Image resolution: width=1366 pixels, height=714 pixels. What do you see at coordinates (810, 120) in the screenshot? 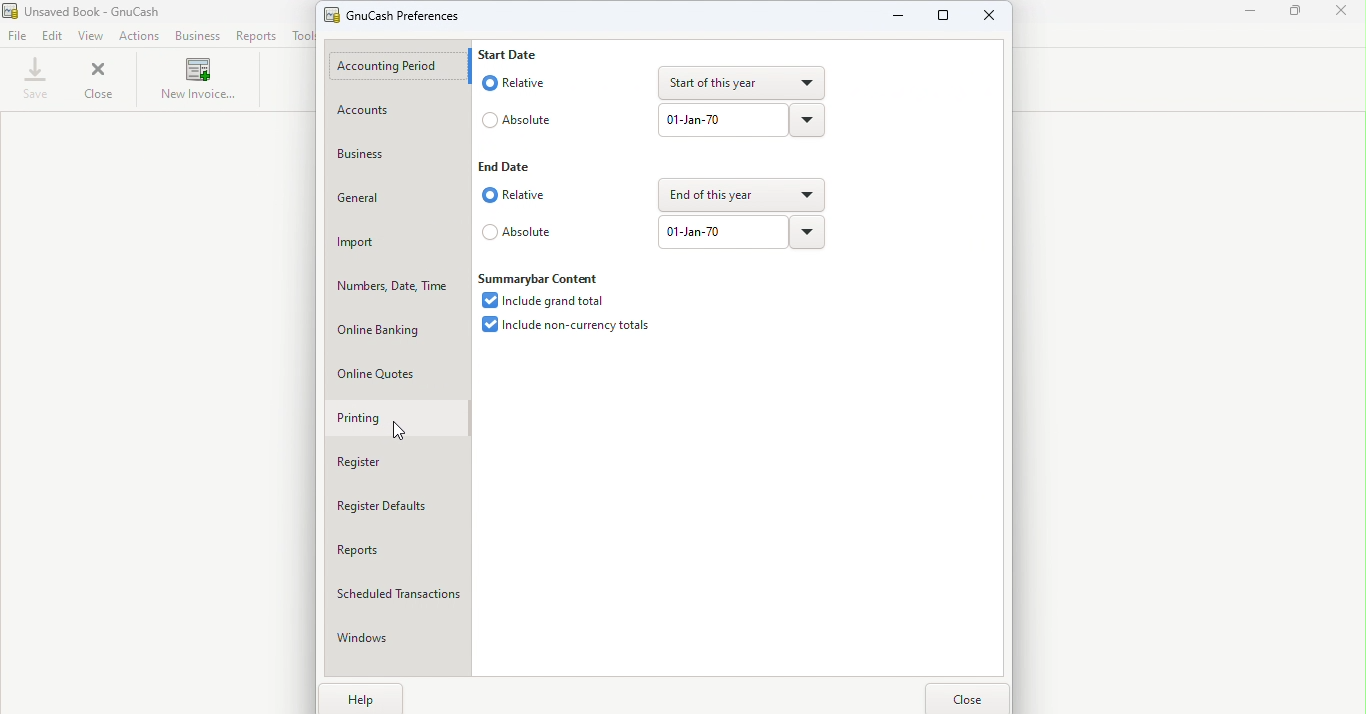
I see `Drop down` at bounding box center [810, 120].